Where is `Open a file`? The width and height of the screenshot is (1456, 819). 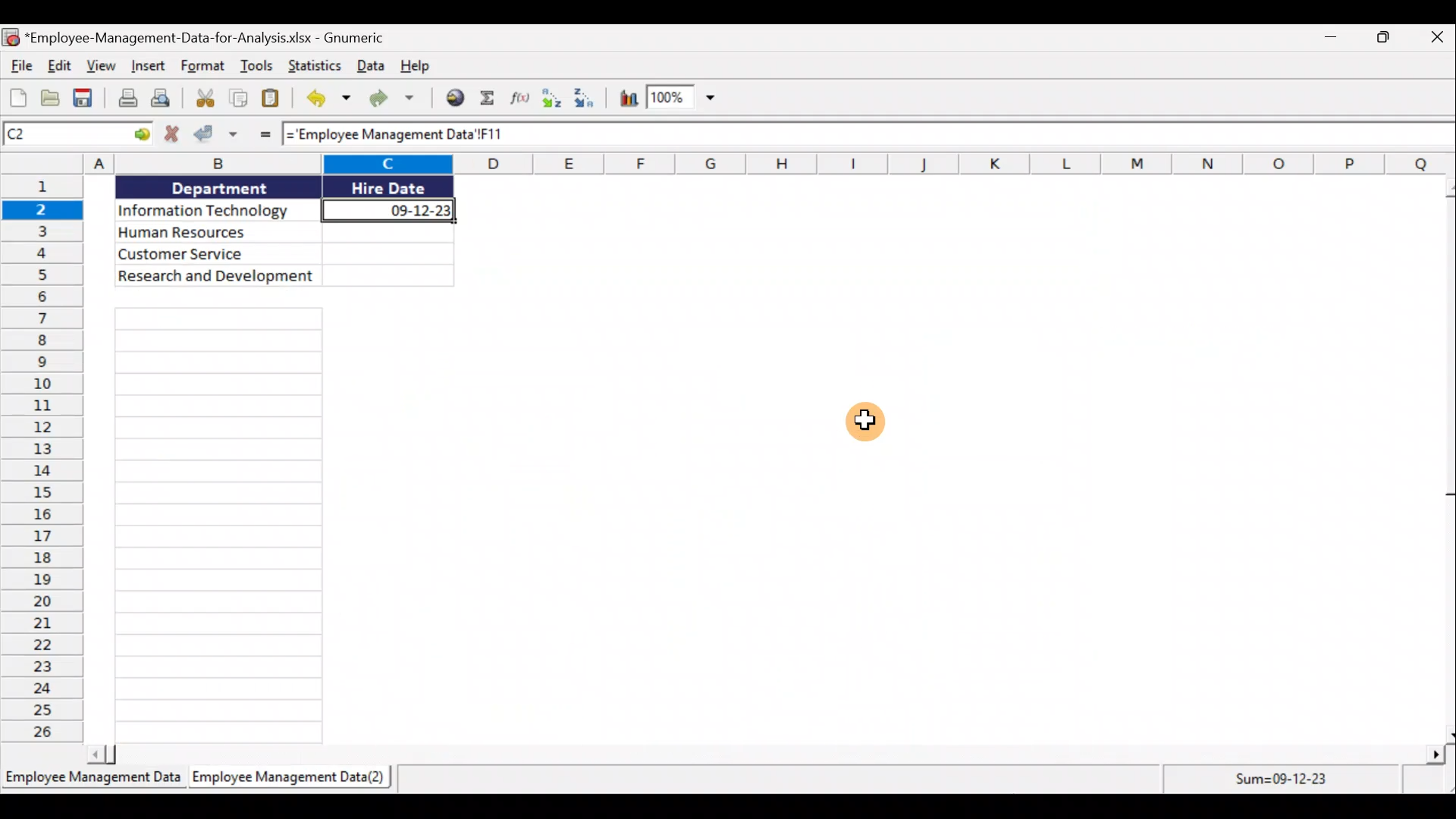 Open a file is located at coordinates (51, 99).